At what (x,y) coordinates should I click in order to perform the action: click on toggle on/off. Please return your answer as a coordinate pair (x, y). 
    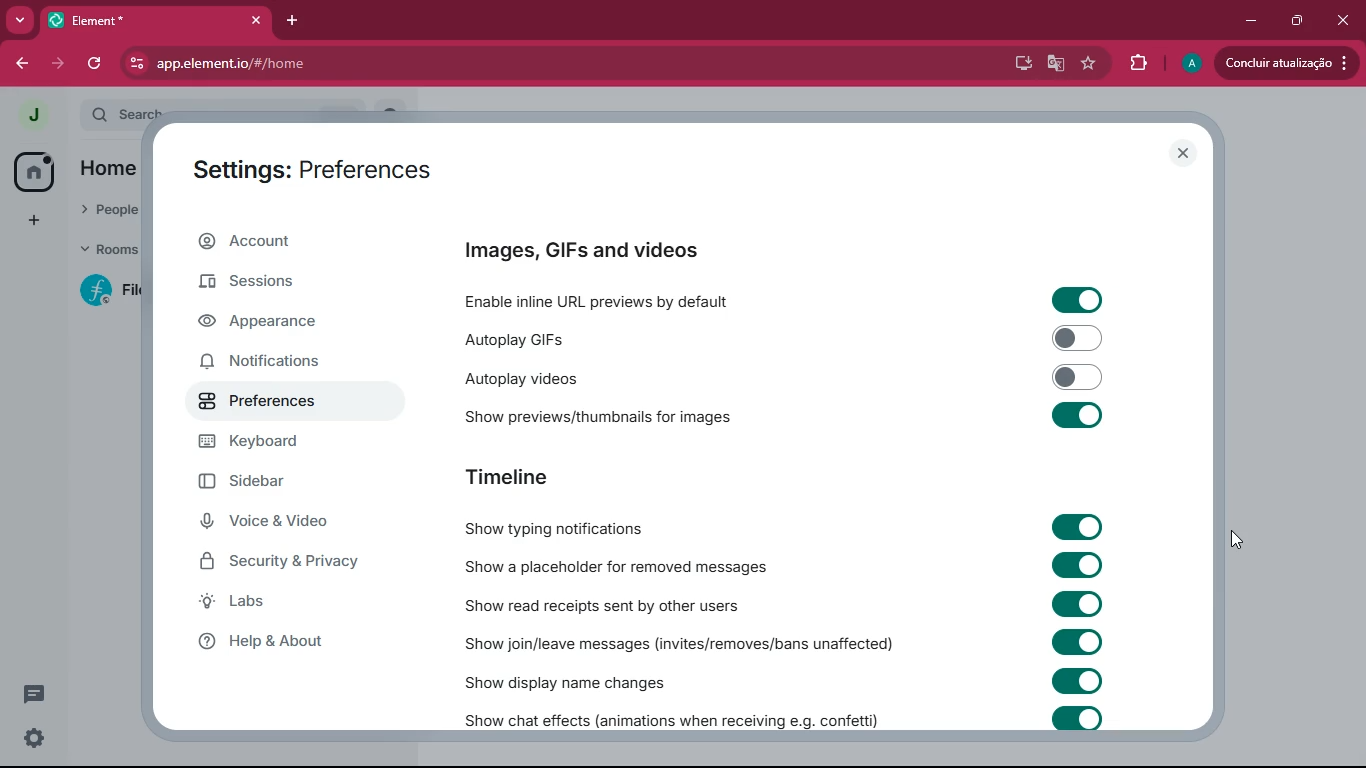
    Looking at the image, I should click on (1078, 642).